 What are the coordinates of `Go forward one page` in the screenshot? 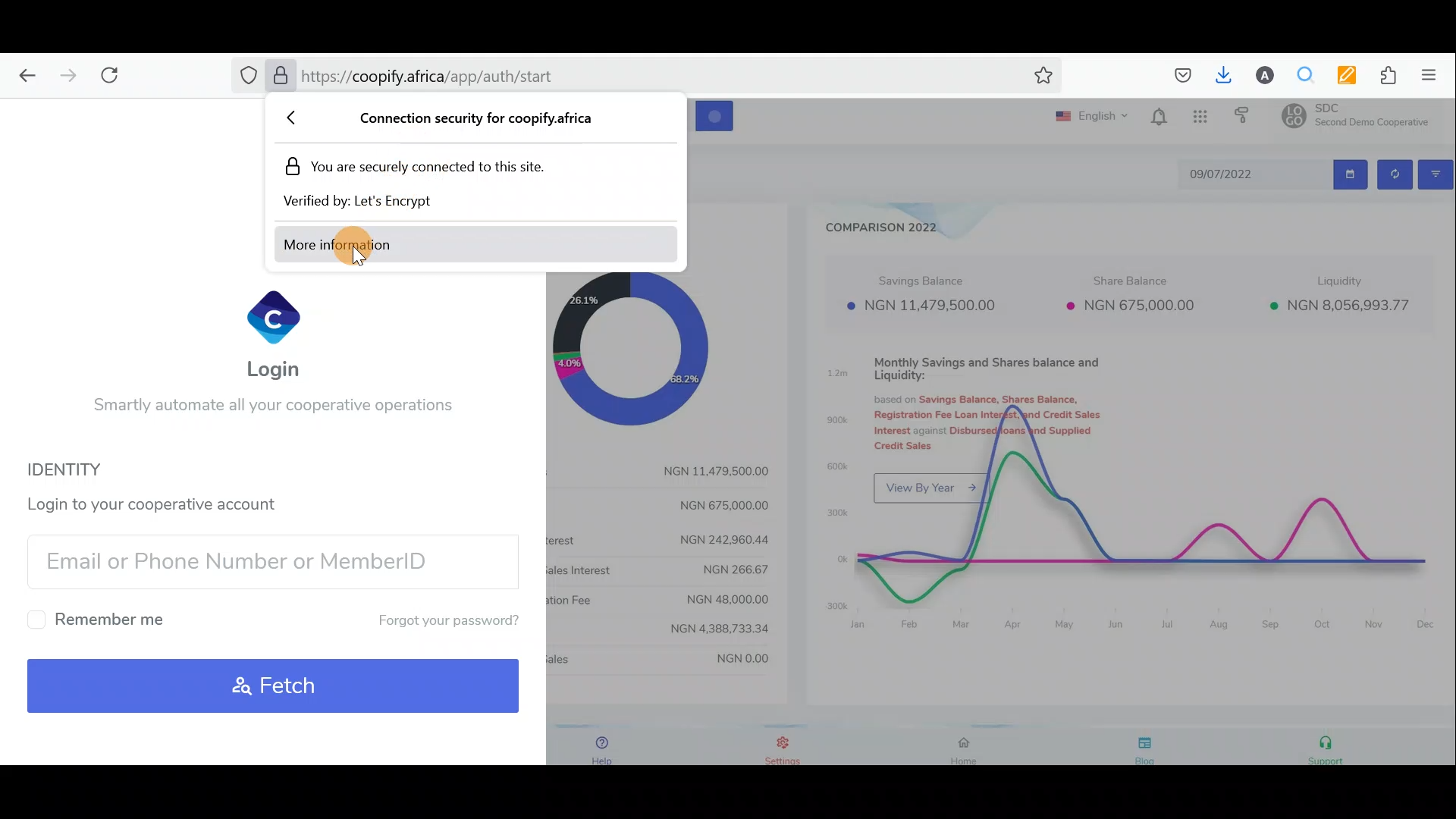 It's located at (64, 75).